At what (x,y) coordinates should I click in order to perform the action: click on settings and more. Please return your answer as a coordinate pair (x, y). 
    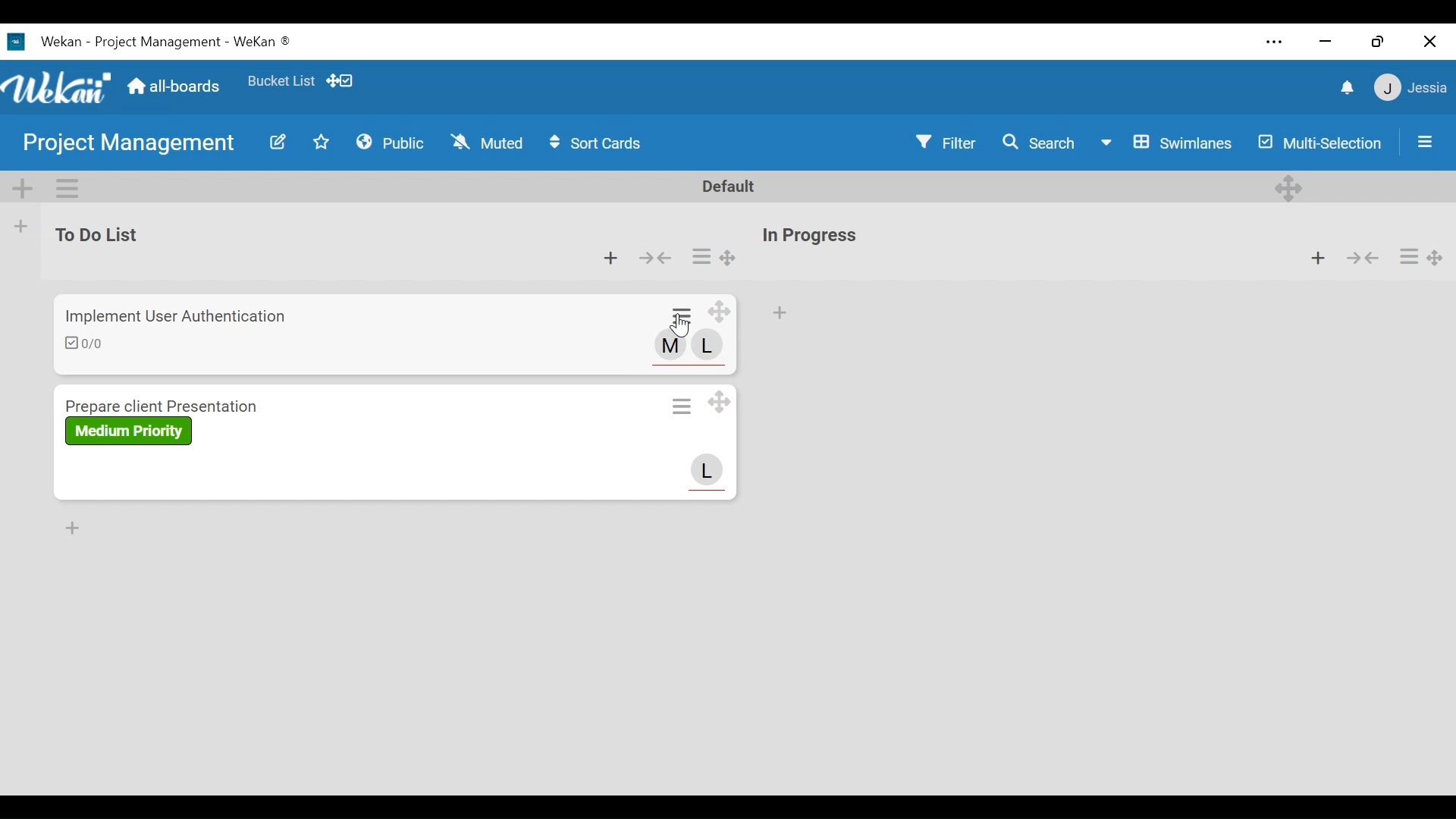
    Looking at the image, I should click on (1277, 43).